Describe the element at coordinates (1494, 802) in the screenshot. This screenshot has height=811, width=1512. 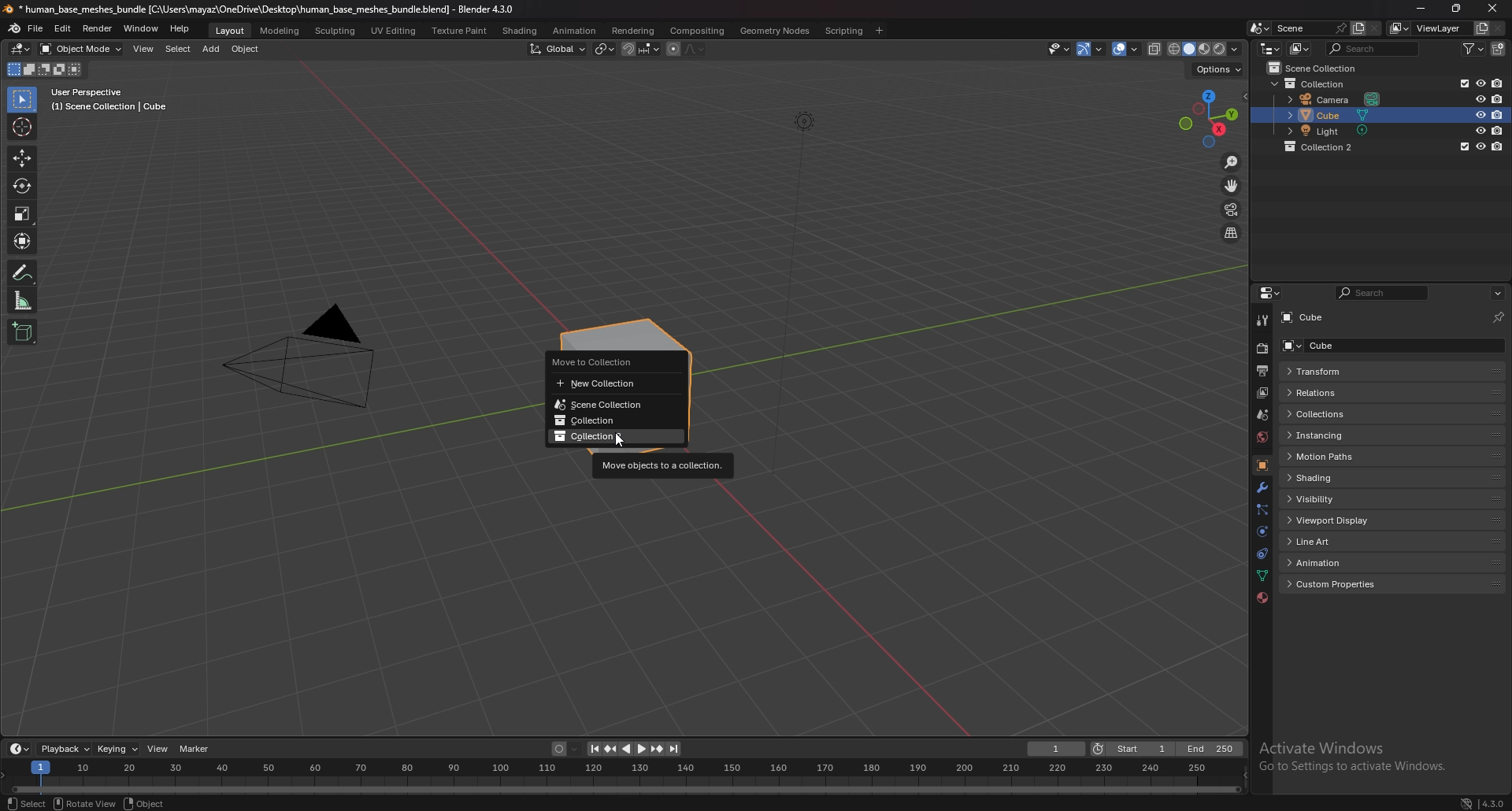
I see `version` at that location.